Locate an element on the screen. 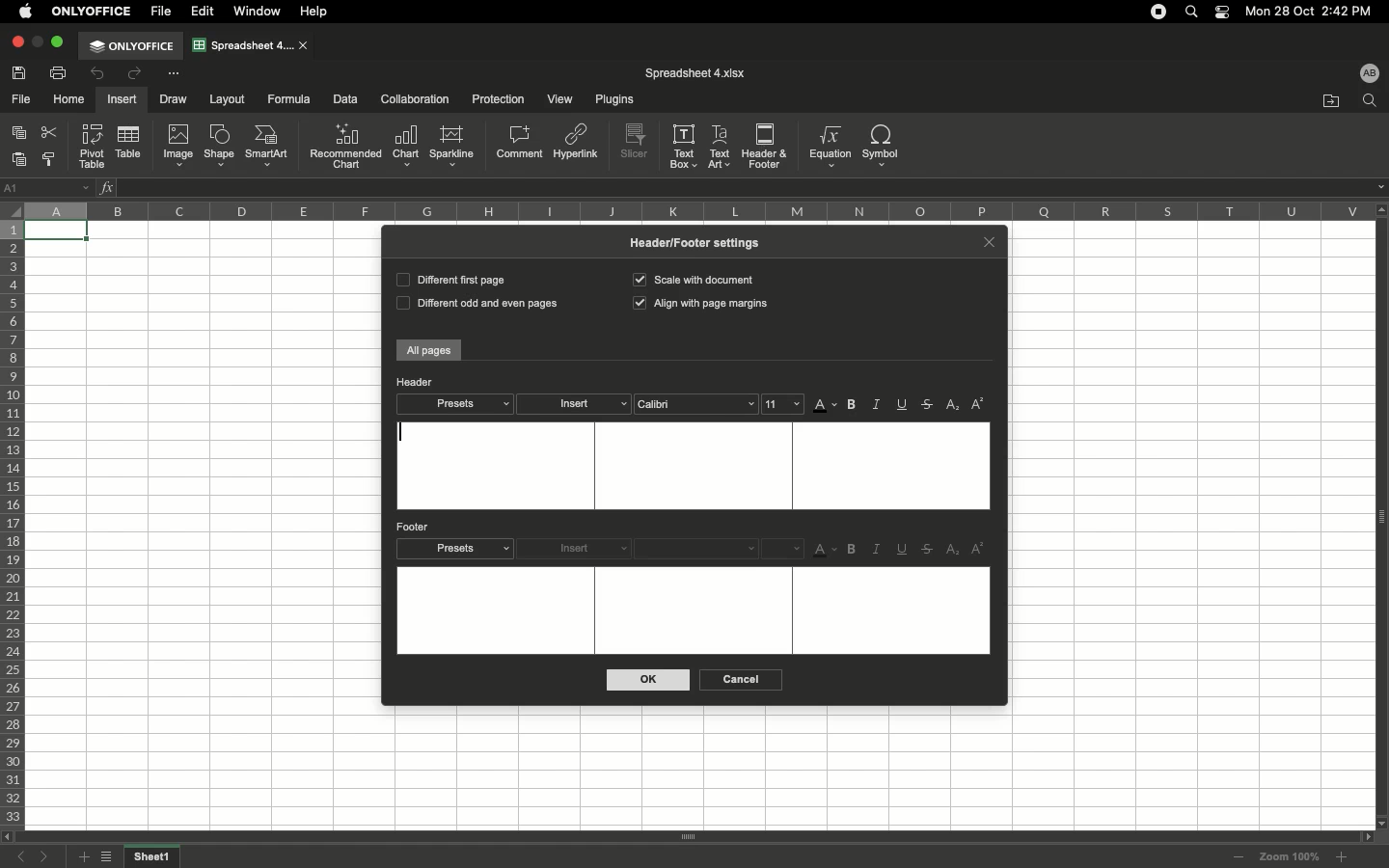 The width and height of the screenshot is (1389, 868). Column is located at coordinates (694, 210).